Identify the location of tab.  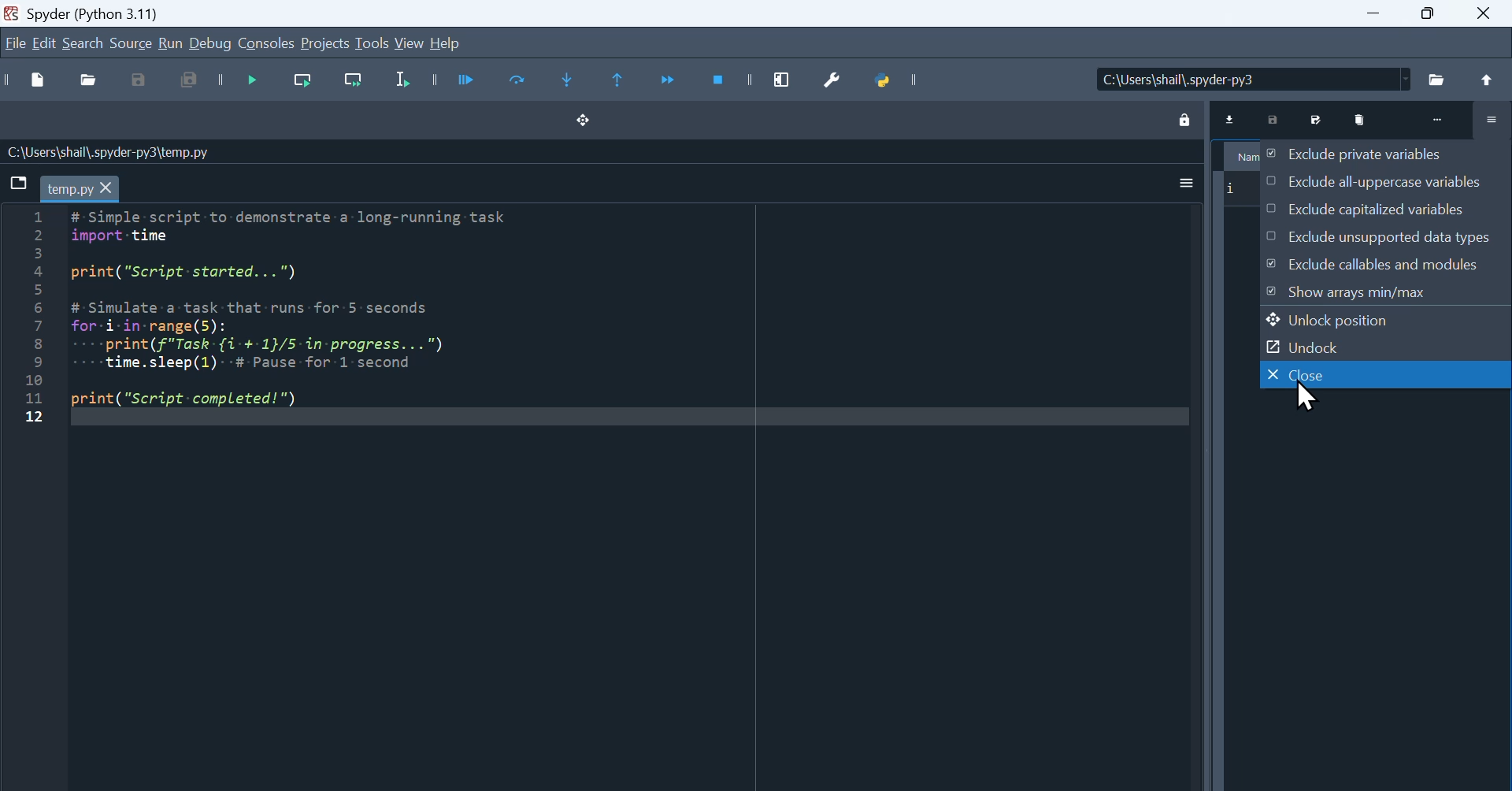
(81, 189).